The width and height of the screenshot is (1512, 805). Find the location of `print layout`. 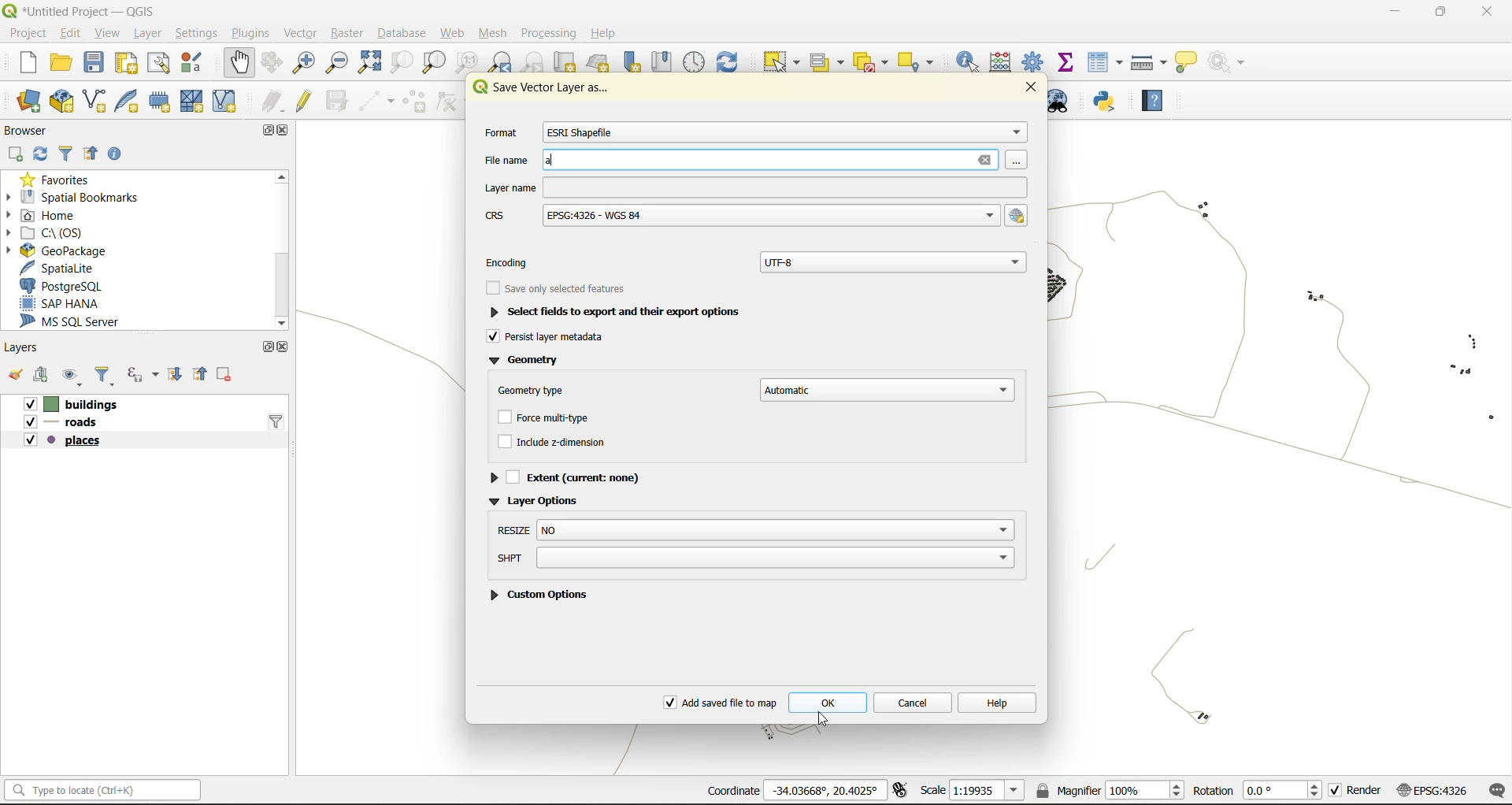

print layout is located at coordinates (132, 63).